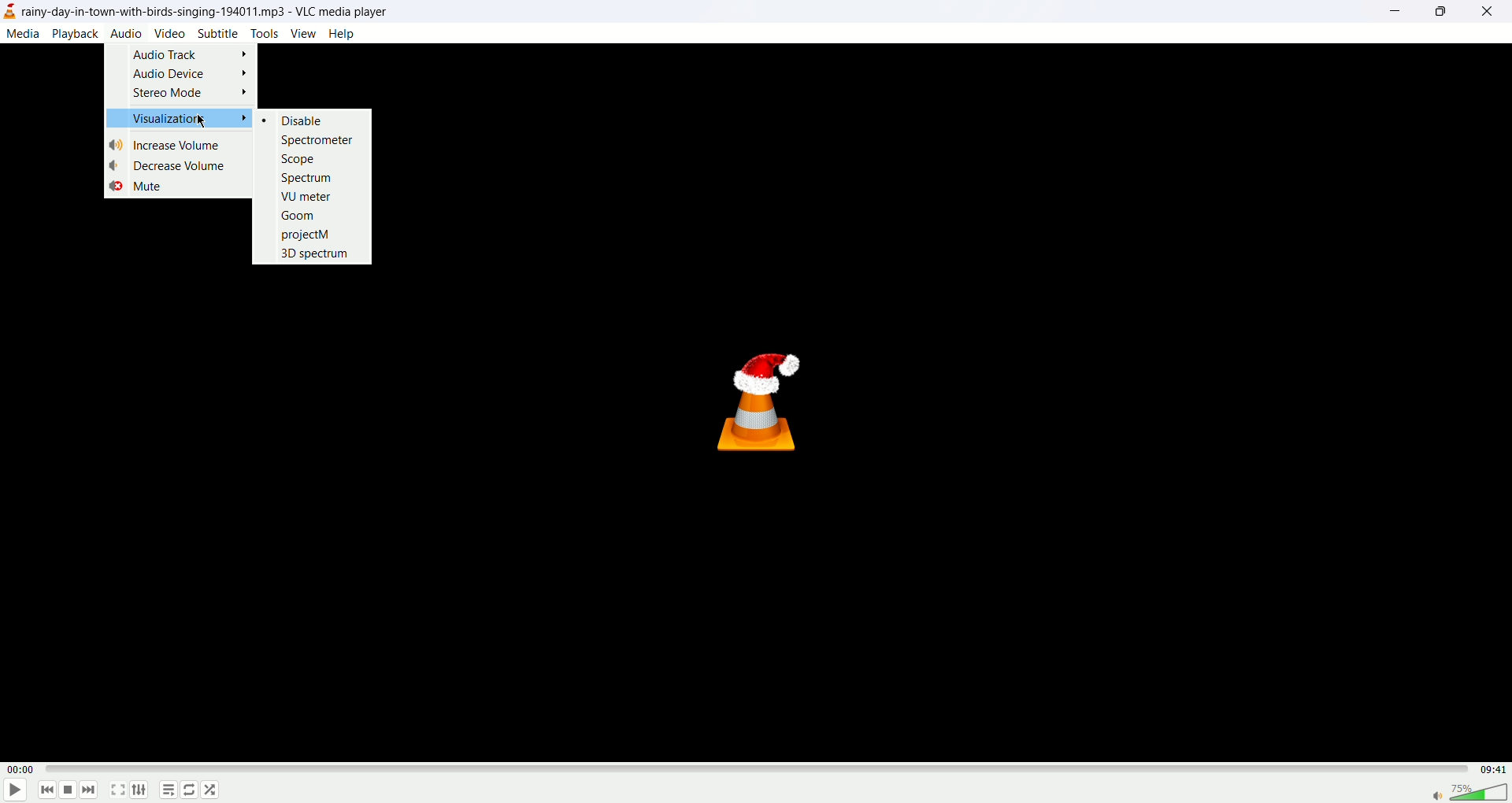  I want to click on groom, so click(299, 214).